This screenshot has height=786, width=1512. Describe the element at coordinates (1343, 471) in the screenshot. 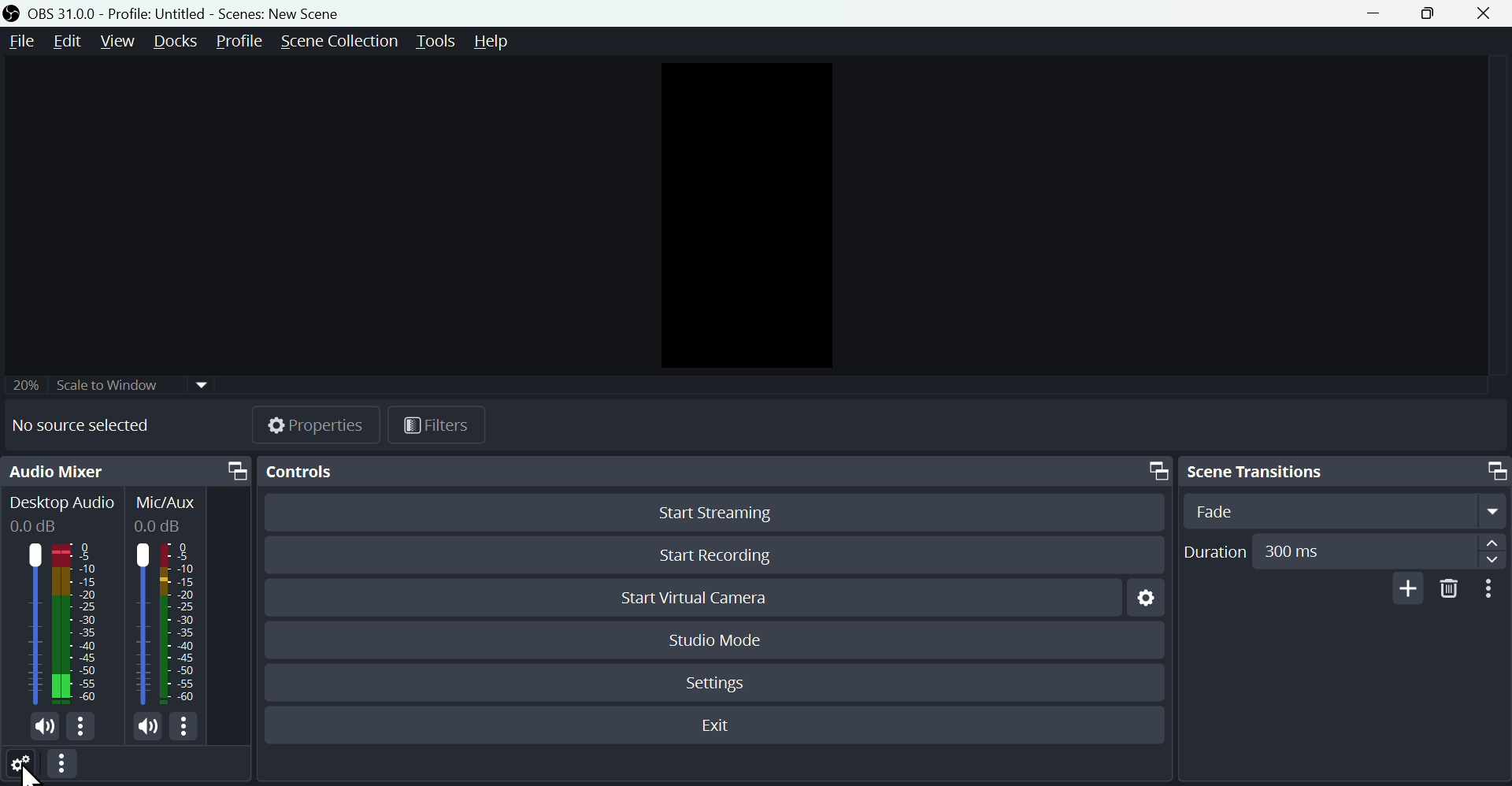

I see `Scene transitions` at that location.